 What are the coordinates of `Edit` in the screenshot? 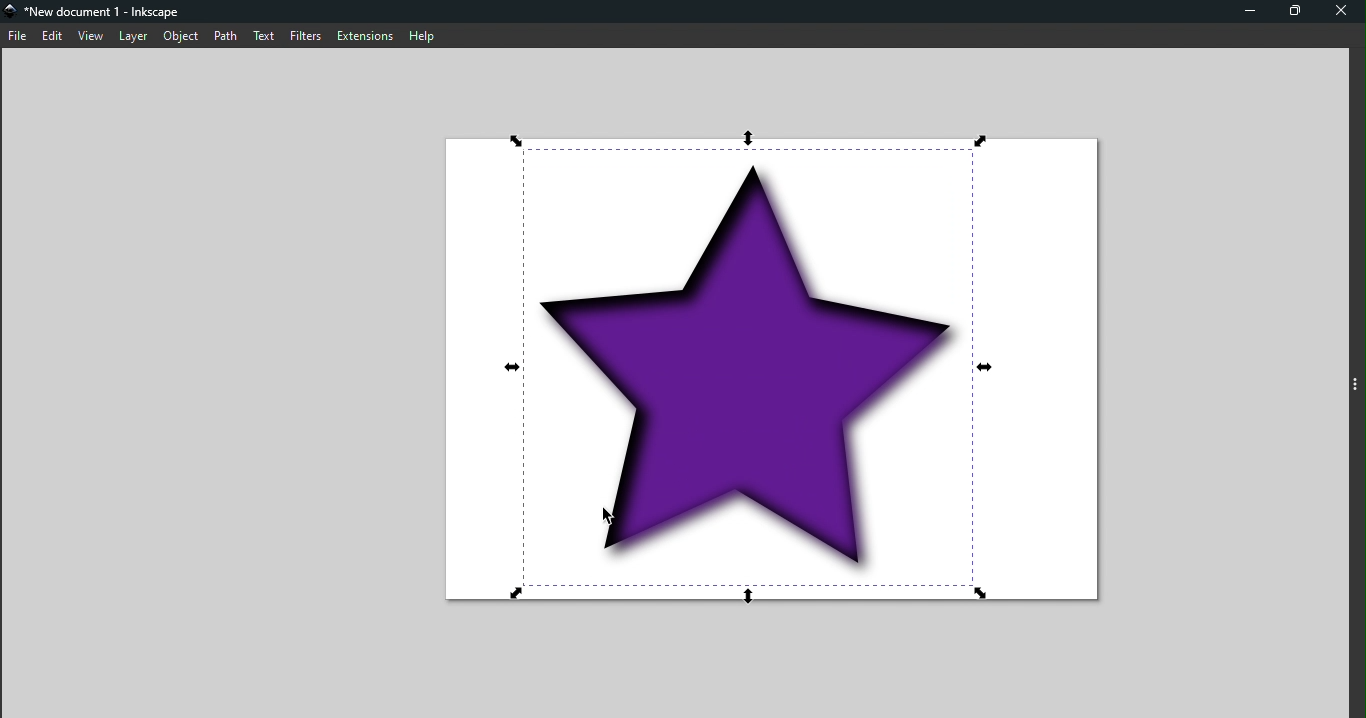 It's located at (54, 37).